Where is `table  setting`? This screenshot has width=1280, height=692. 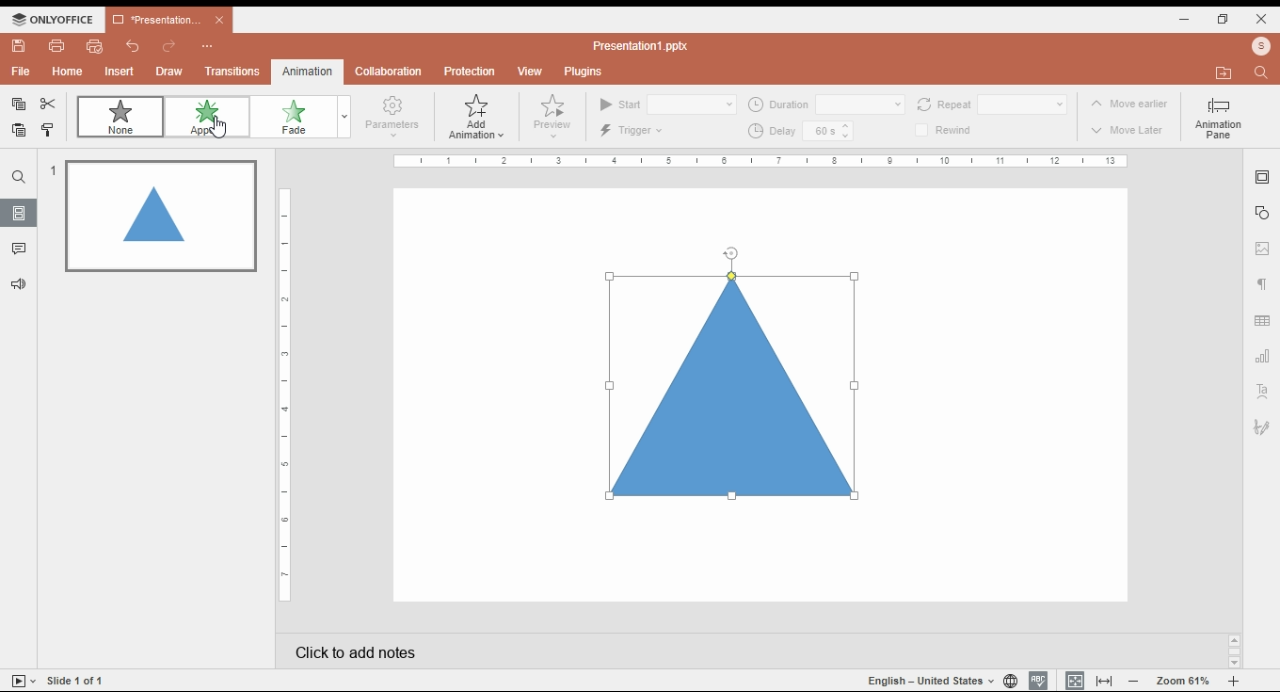
table  setting is located at coordinates (1260, 319).